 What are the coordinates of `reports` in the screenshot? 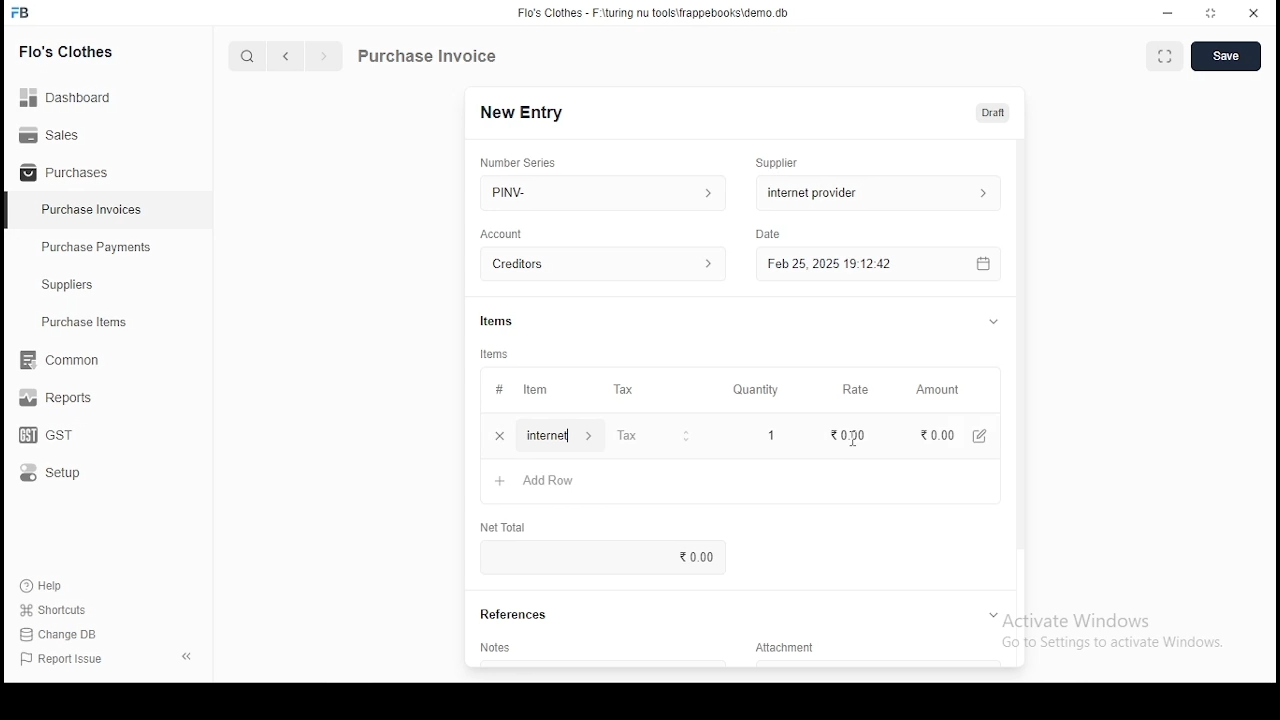 It's located at (58, 400).